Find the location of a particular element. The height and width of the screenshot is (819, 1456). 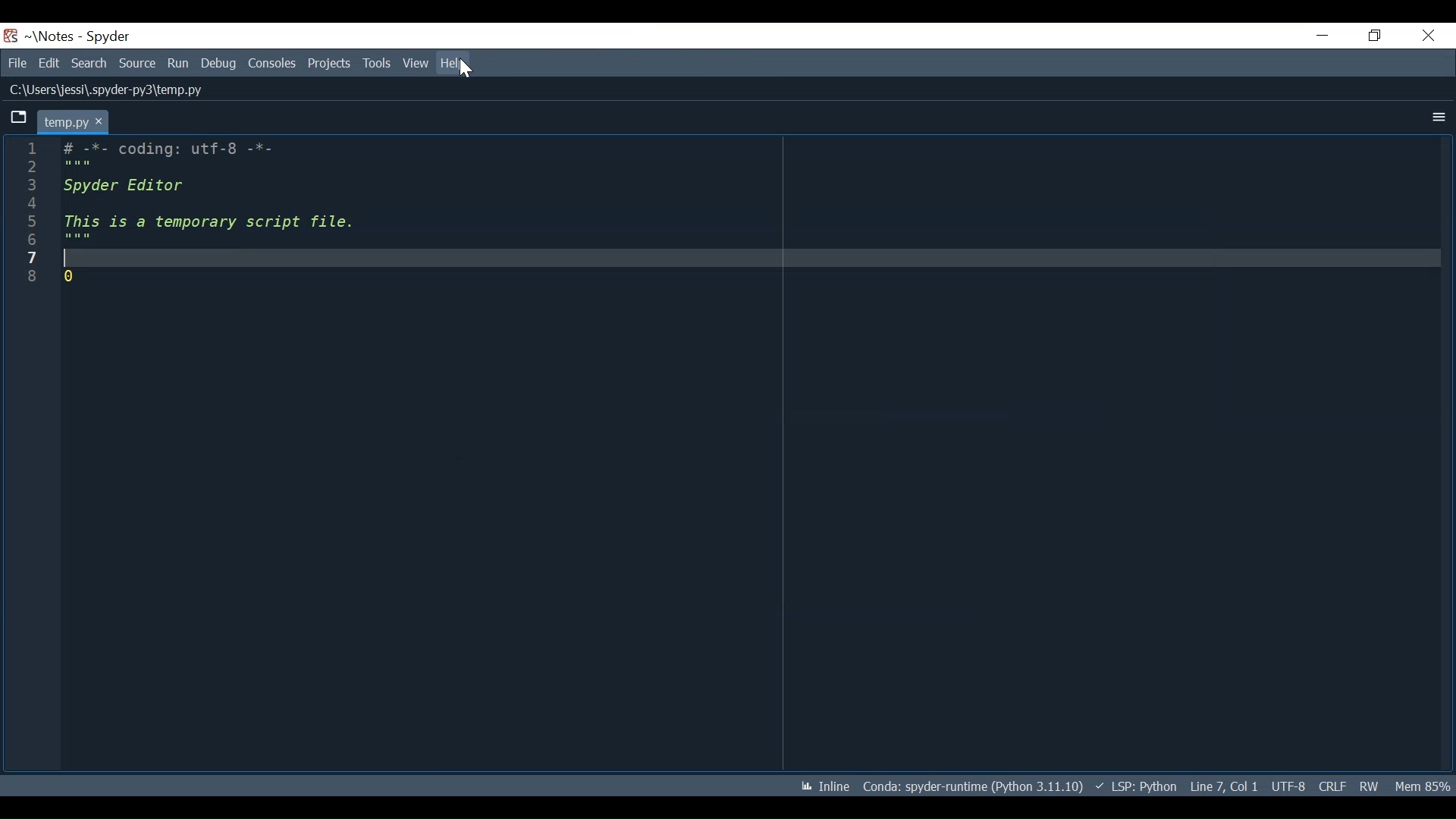

Edit is located at coordinates (49, 62).